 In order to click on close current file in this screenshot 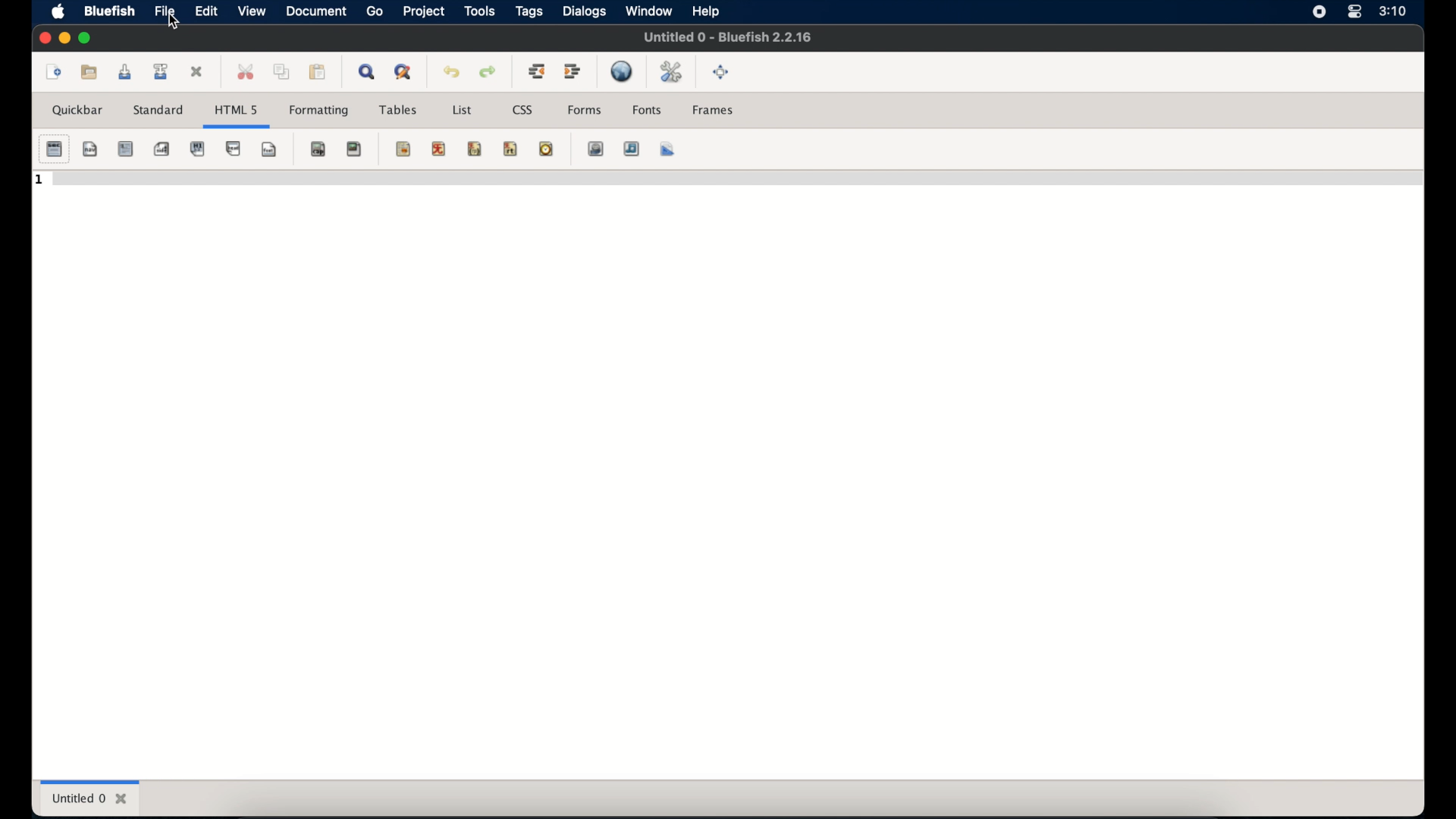, I will do `click(198, 73)`.